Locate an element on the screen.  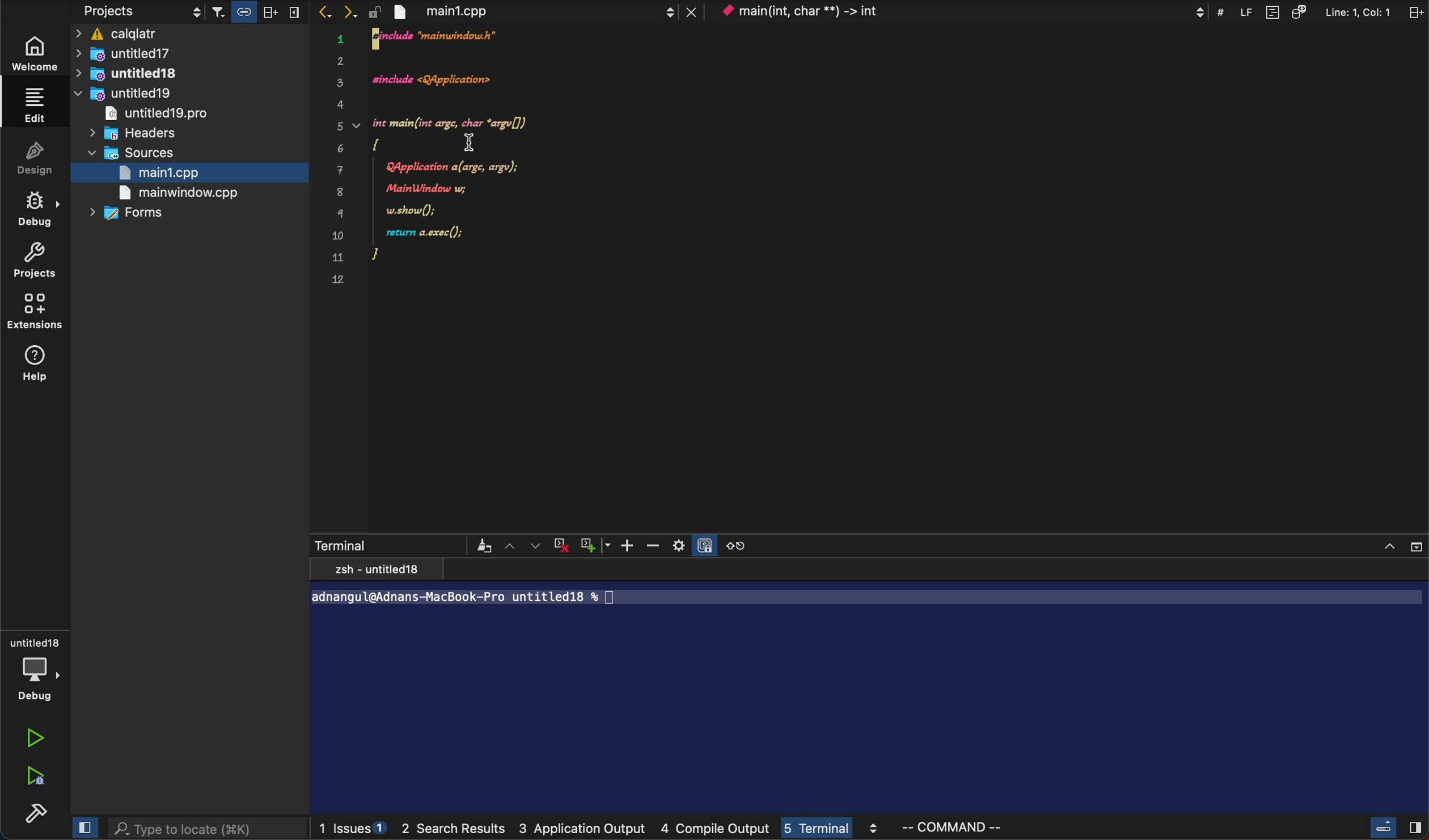
main1.cpp is located at coordinates (184, 173).